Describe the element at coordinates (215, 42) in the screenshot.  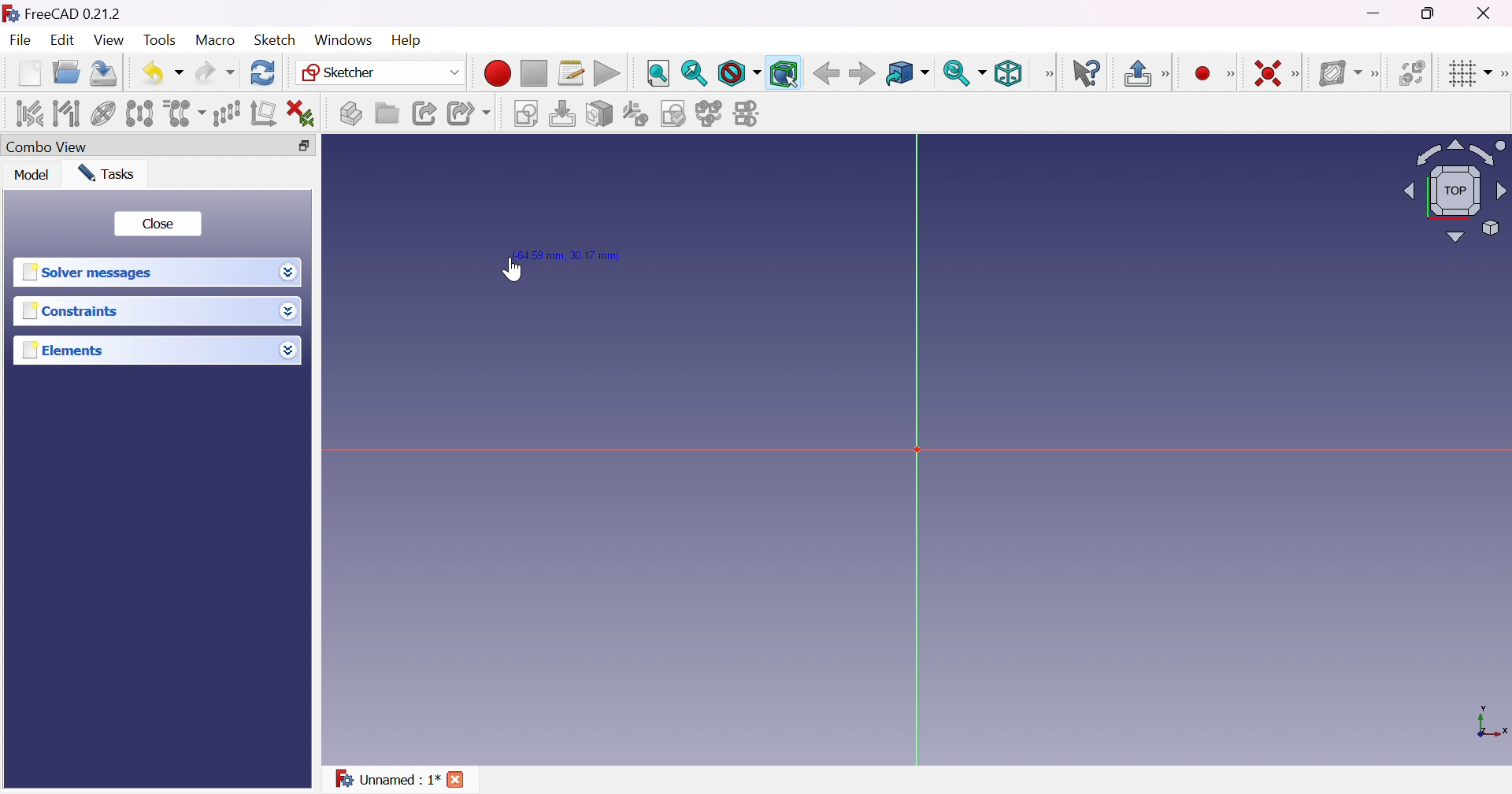
I see `Macro` at that location.